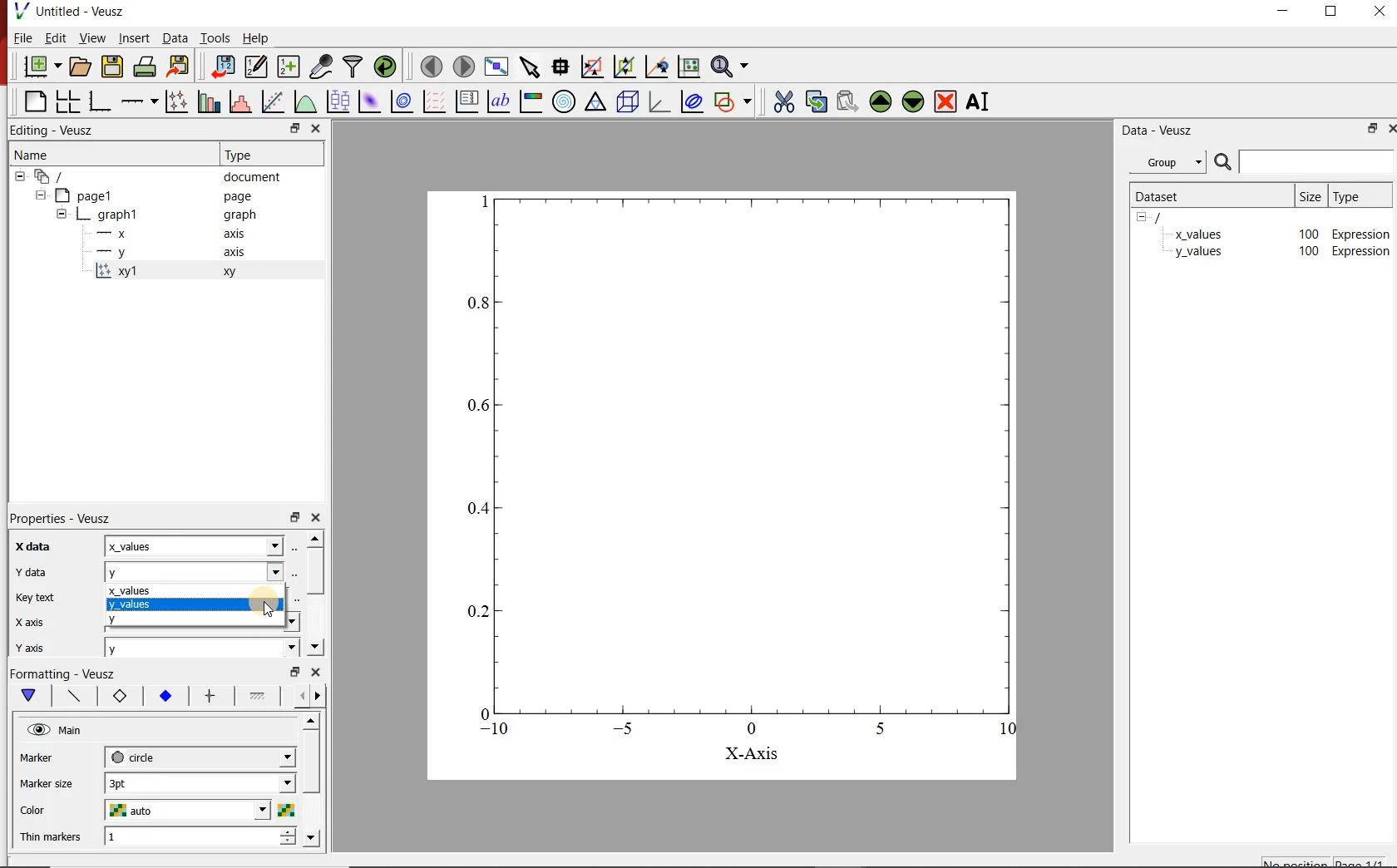 Image resolution: width=1397 pixels, height=868 pixels. I want to click on close, so click(318, 517).